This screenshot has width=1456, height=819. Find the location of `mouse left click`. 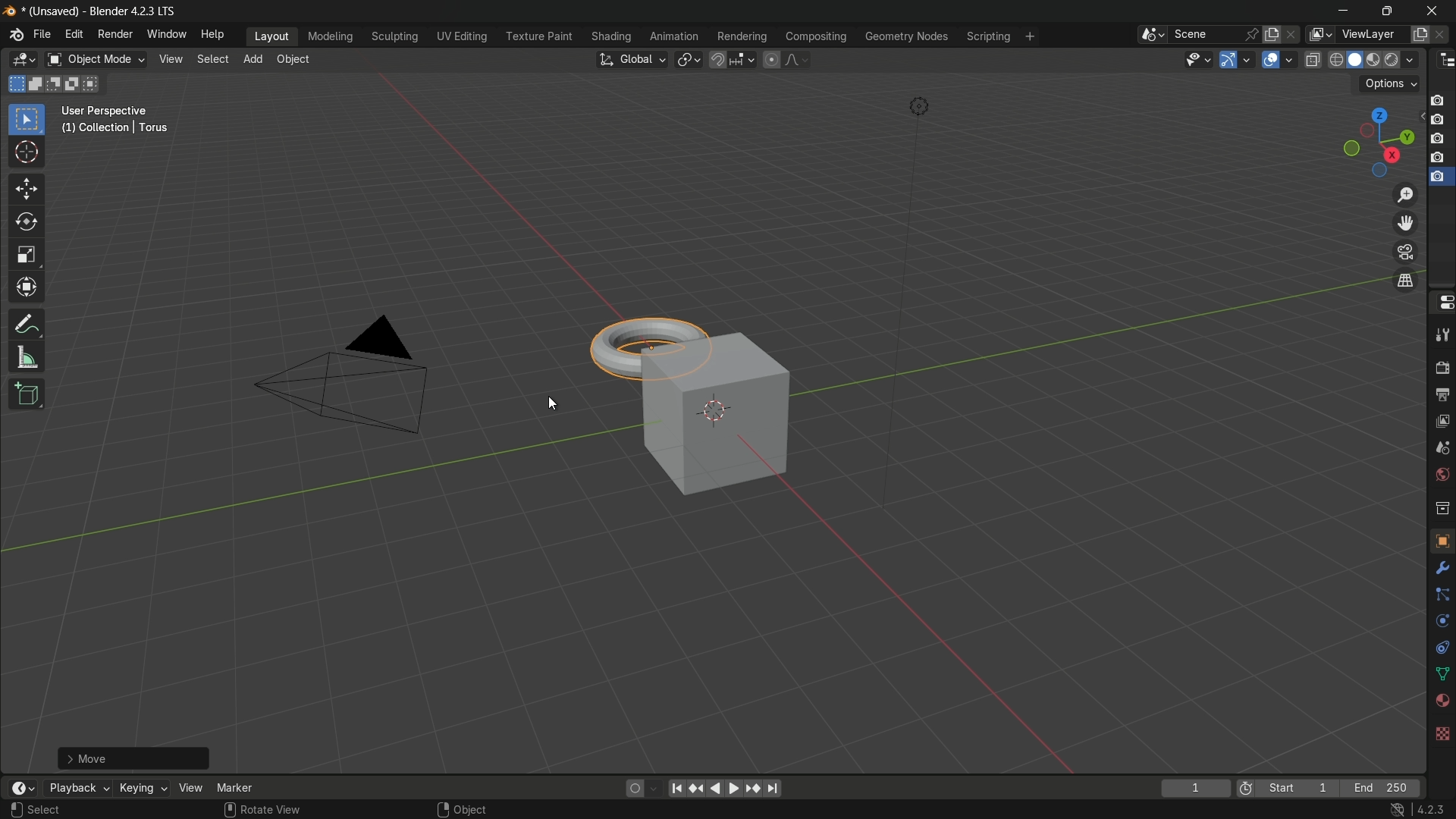

mouse left click is located at coordinates (16, 810).